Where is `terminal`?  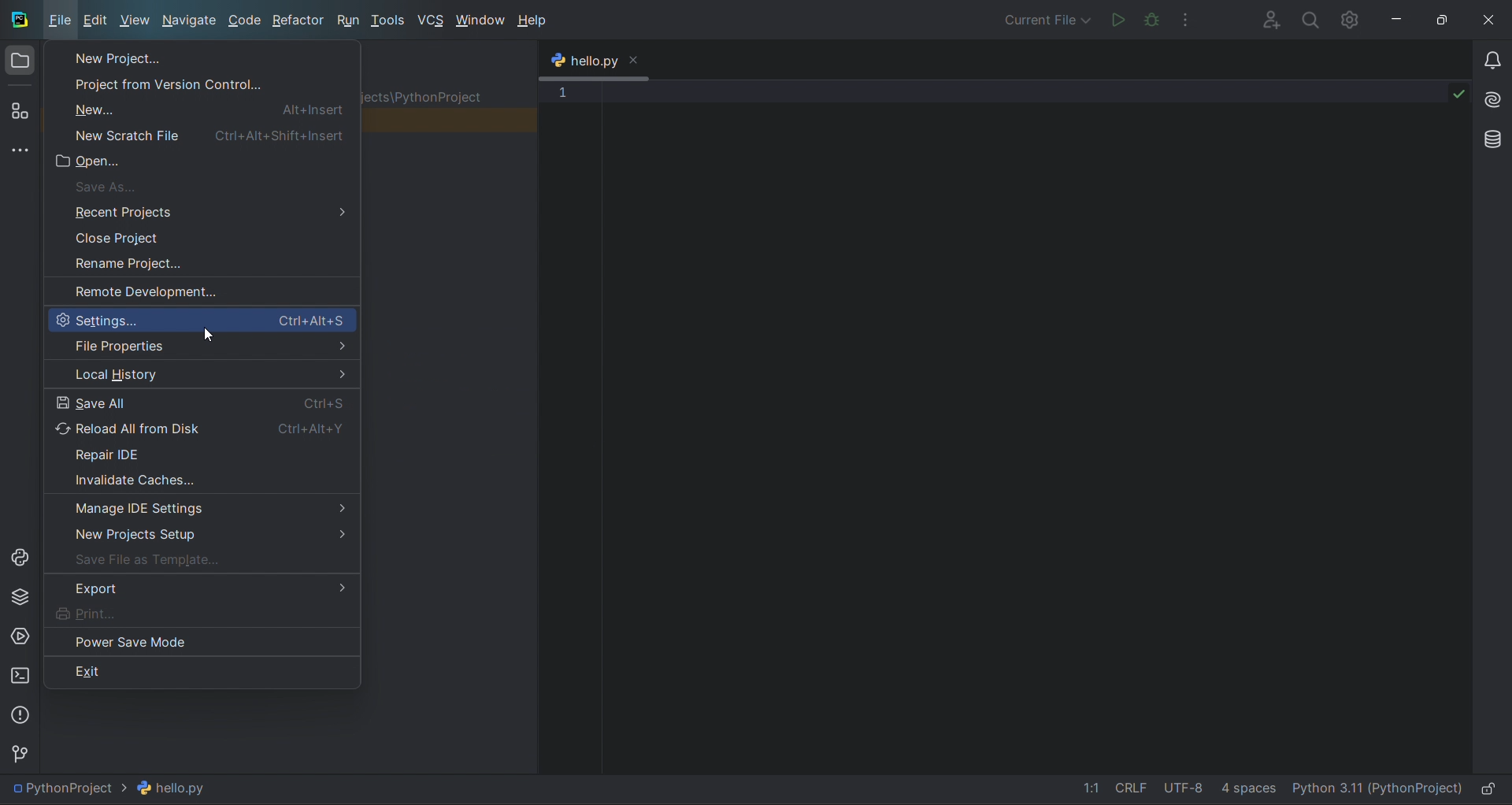
terminal is located at coordinates (20, 677).